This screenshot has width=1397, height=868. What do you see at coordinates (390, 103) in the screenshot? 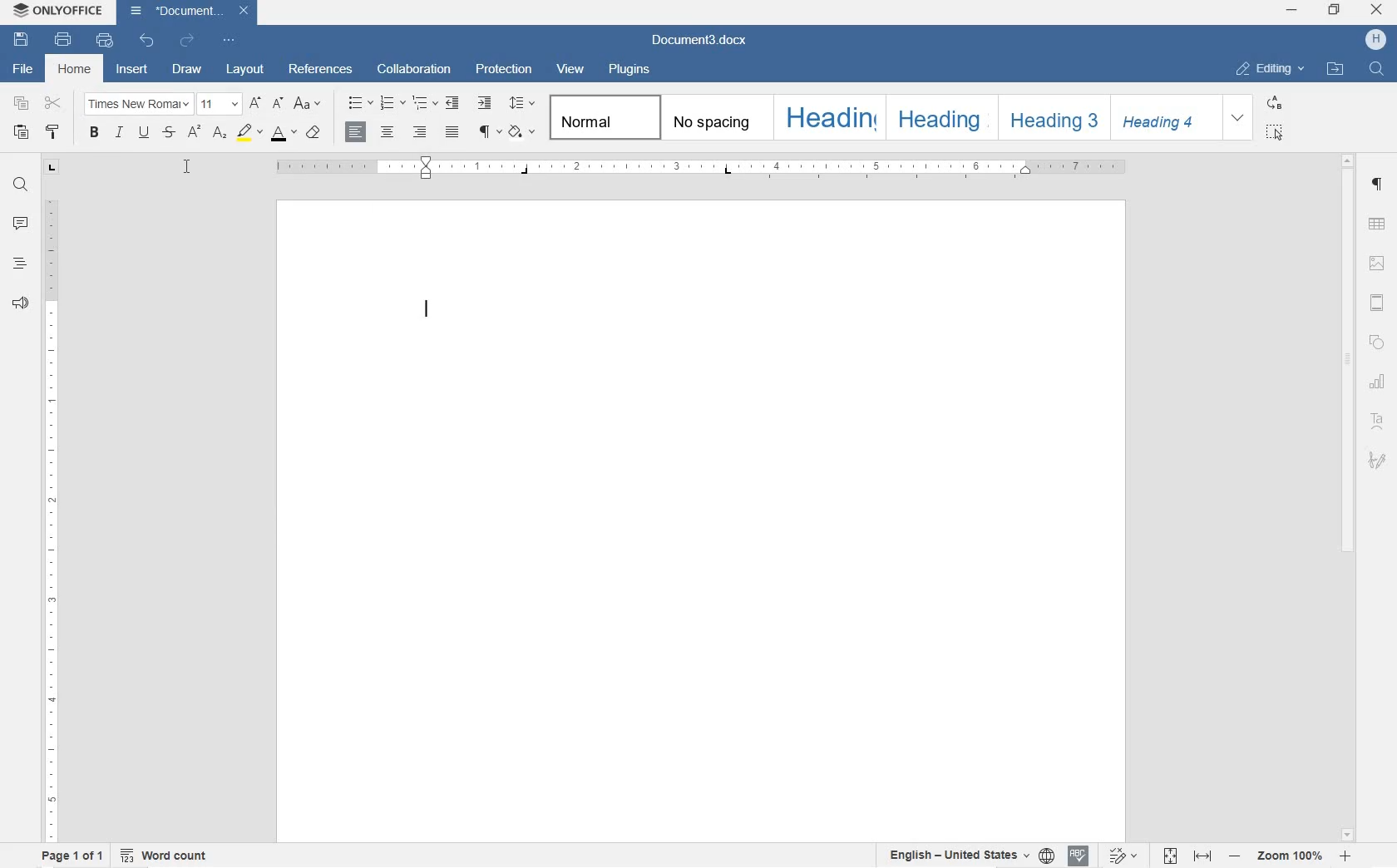
I see `NUMBERING` at bounding box center [390, 103].